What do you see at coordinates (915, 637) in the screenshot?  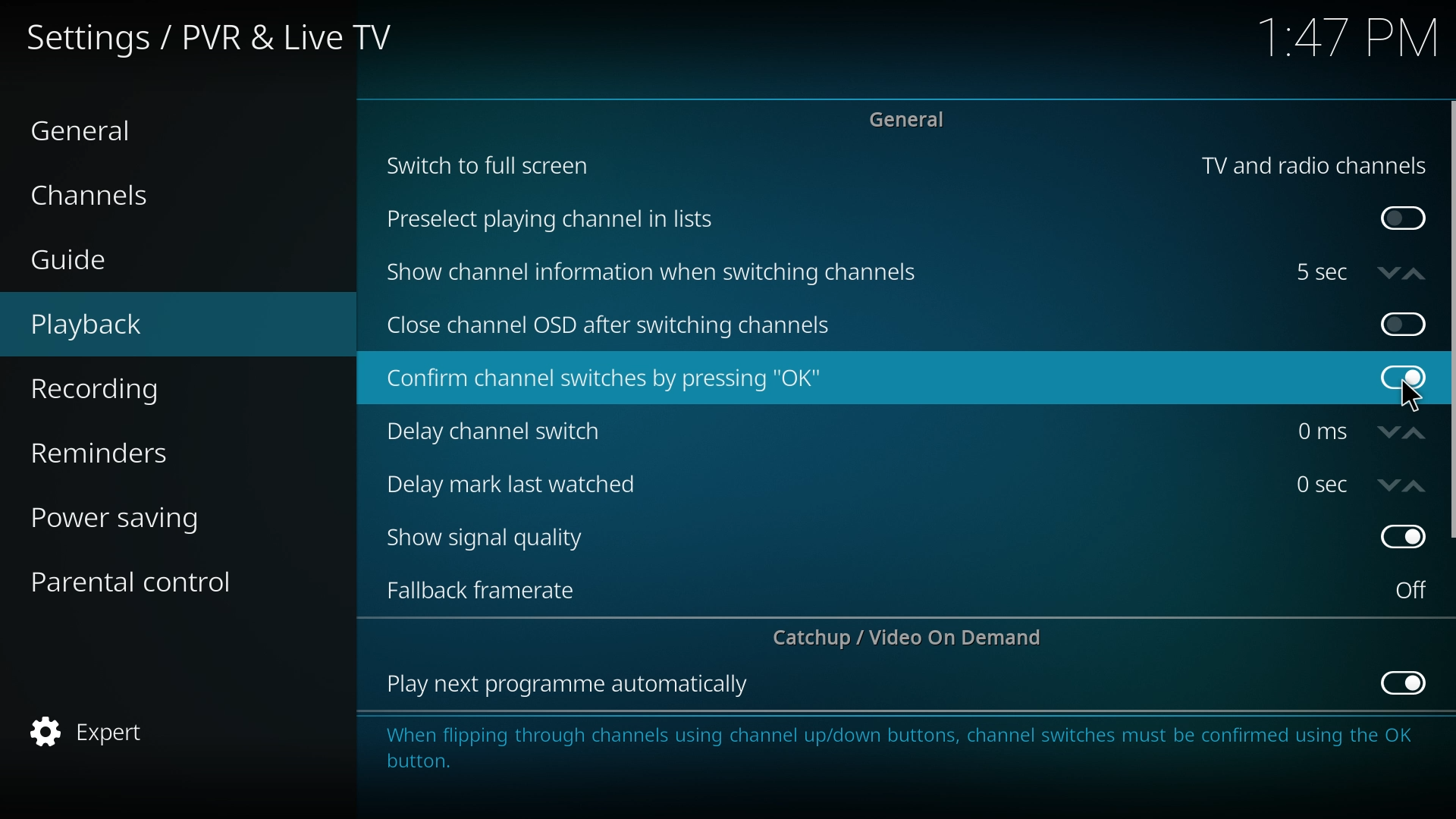 I see `catchup/video on demand` at bounding box center [915, 637].